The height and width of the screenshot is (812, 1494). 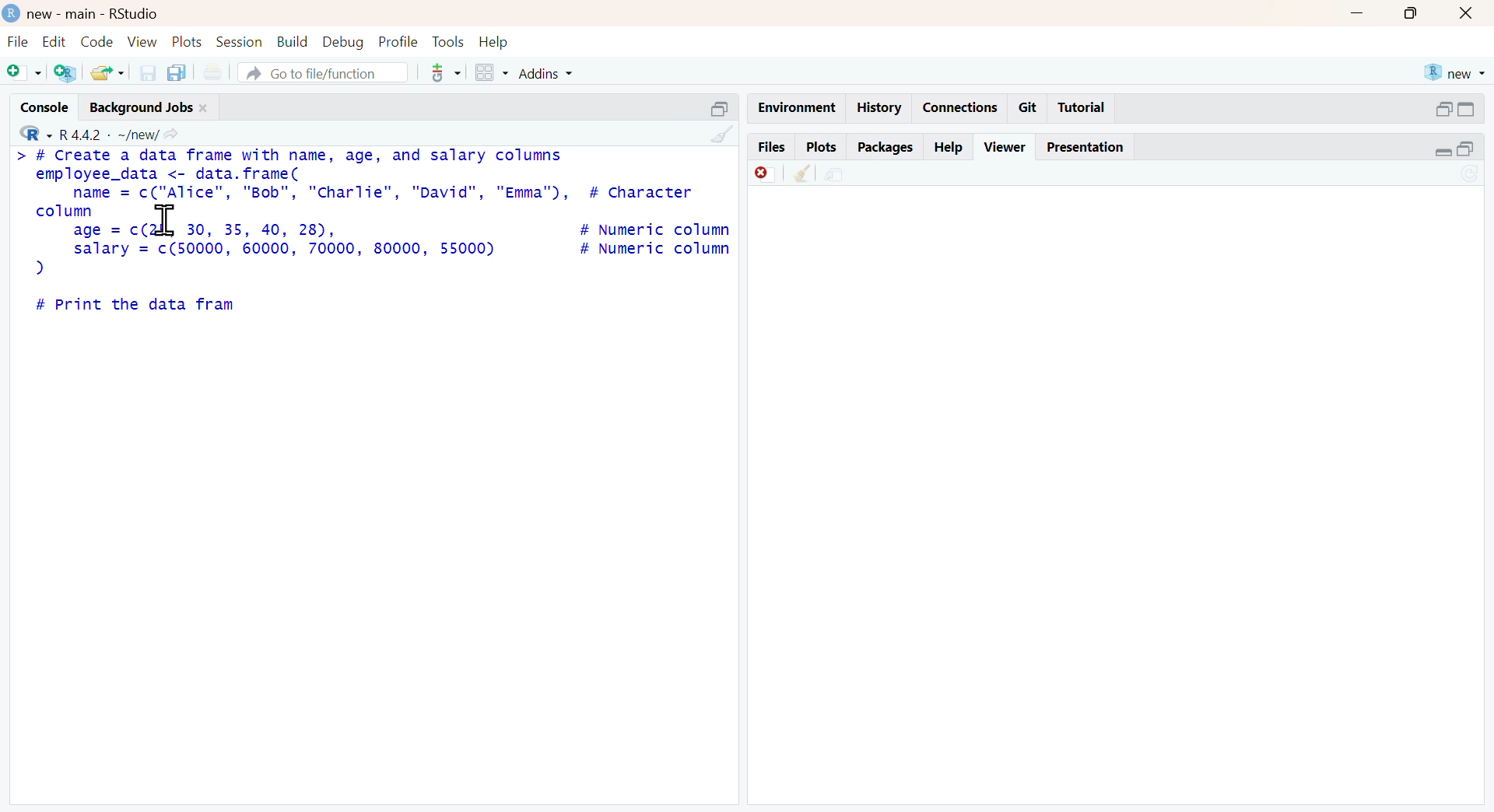 I want to click on File, so click(x=16, y=41).